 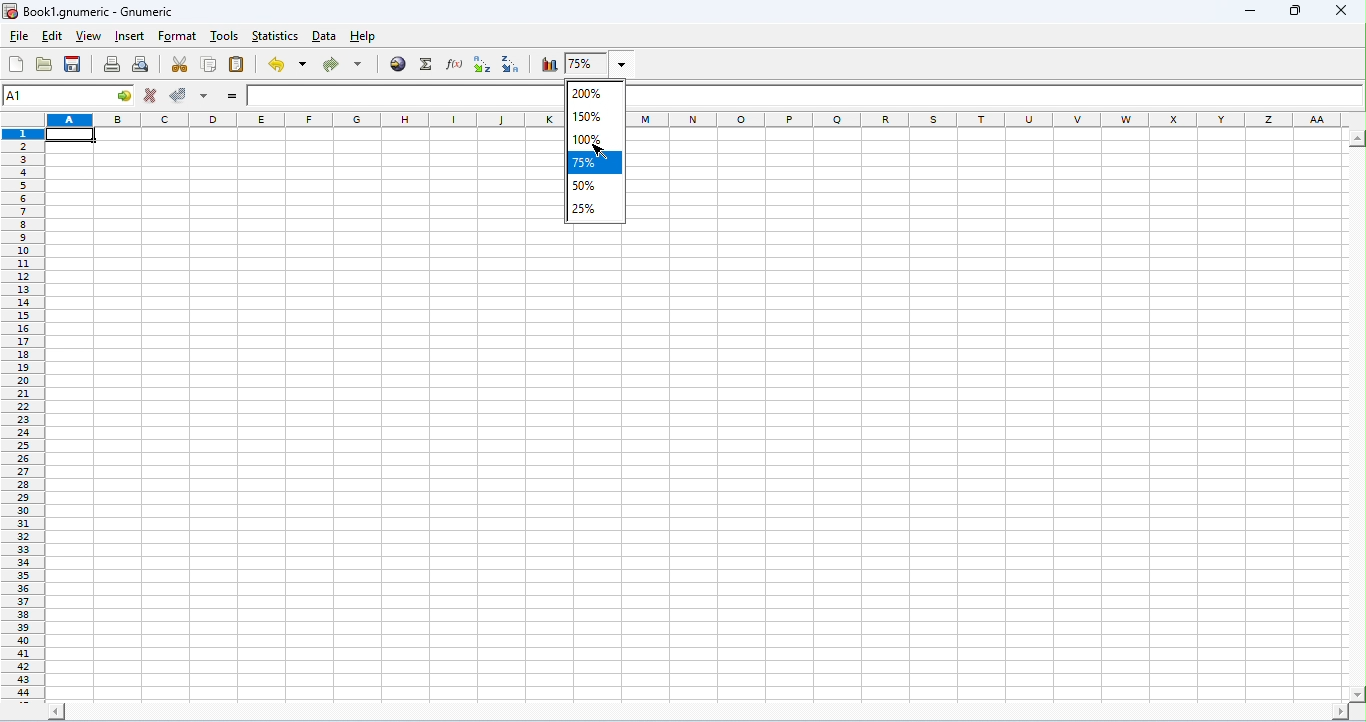 I want to click on view, so click(x=87, y=36).